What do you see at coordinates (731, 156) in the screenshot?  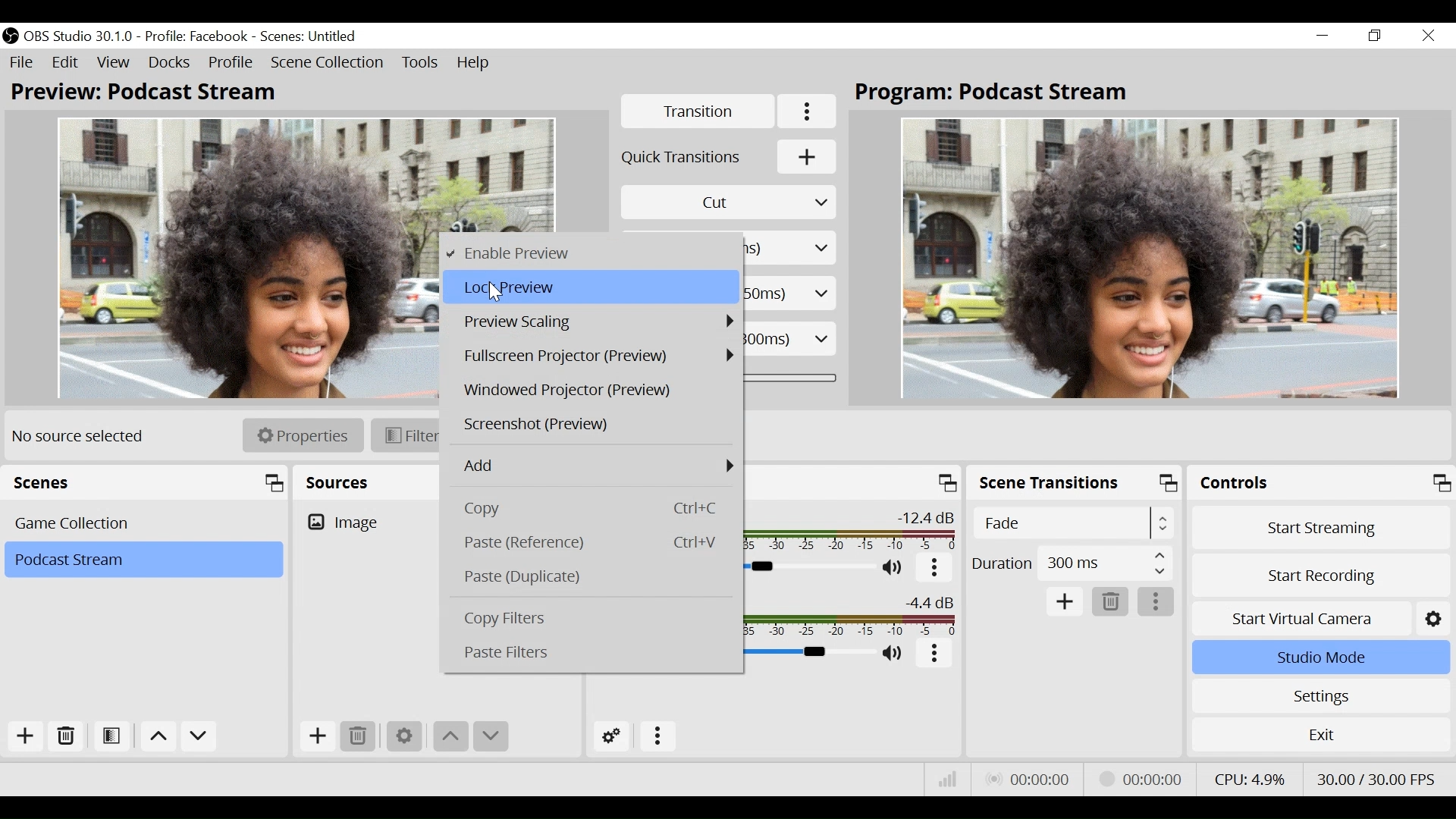 I see `Add Quick Transitions` at bounding box center [731, 156].